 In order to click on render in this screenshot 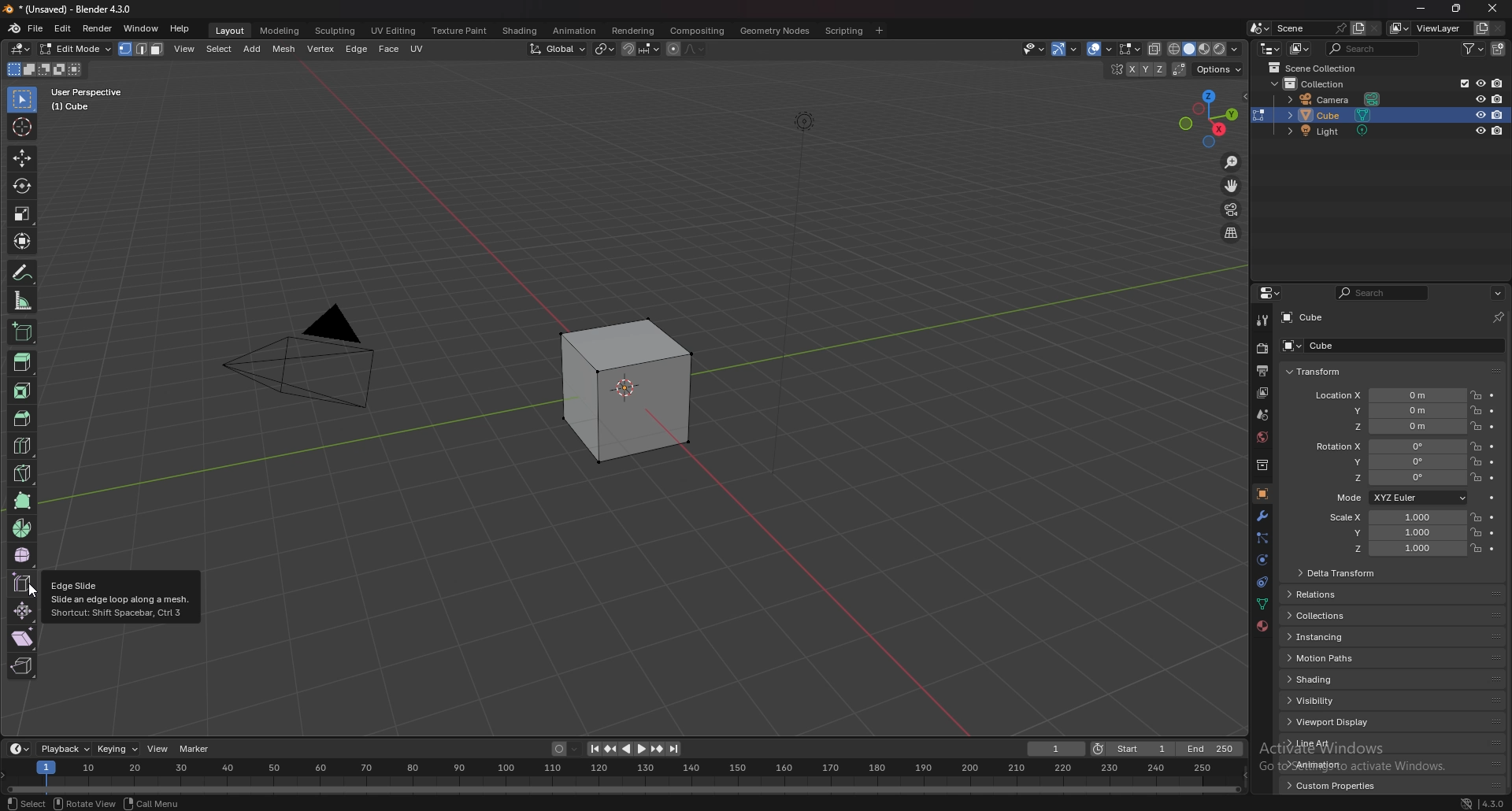, I will do `click(98, 28)`.